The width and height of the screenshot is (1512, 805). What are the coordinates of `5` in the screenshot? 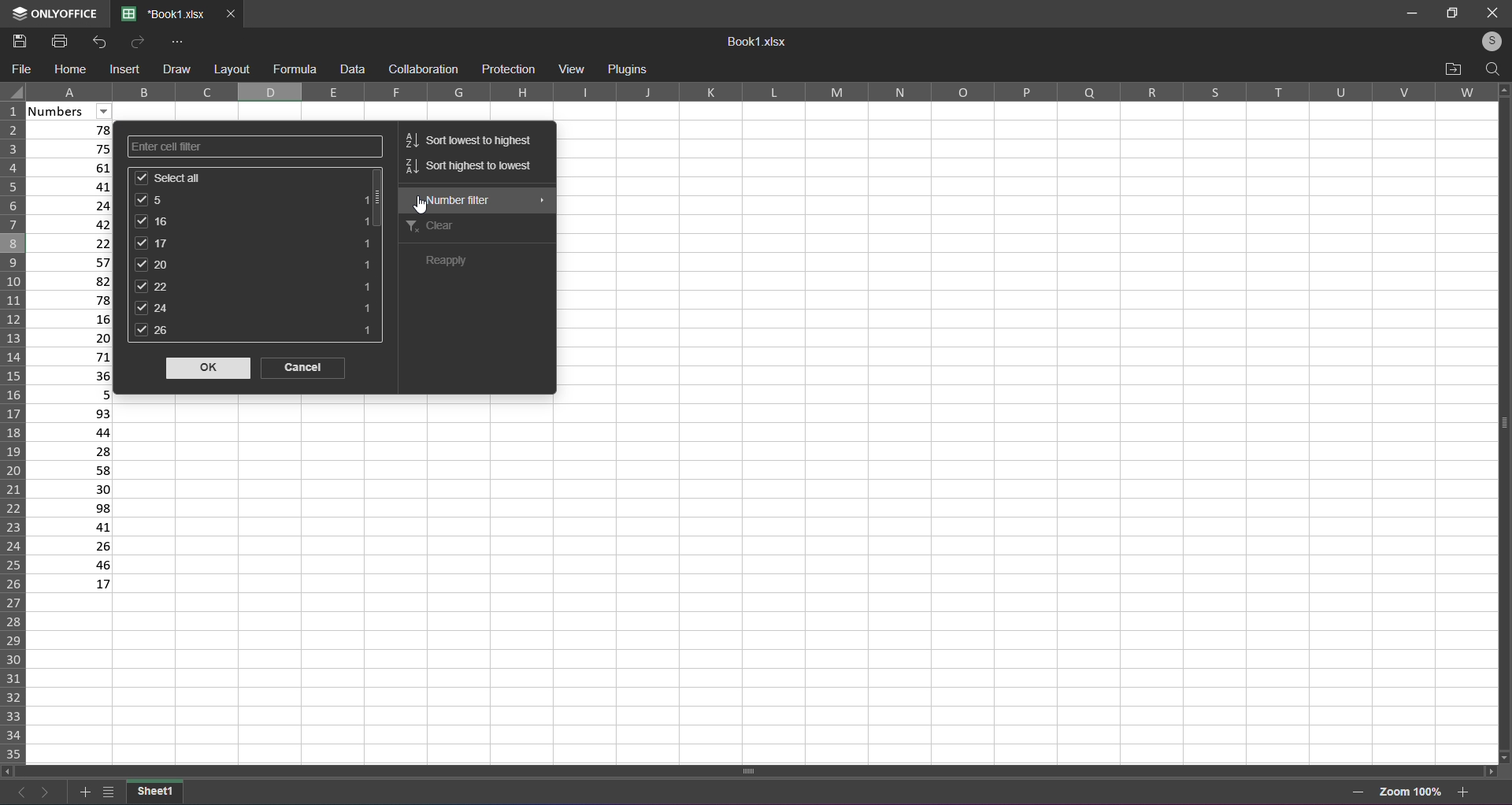 It's located at (71, 394).